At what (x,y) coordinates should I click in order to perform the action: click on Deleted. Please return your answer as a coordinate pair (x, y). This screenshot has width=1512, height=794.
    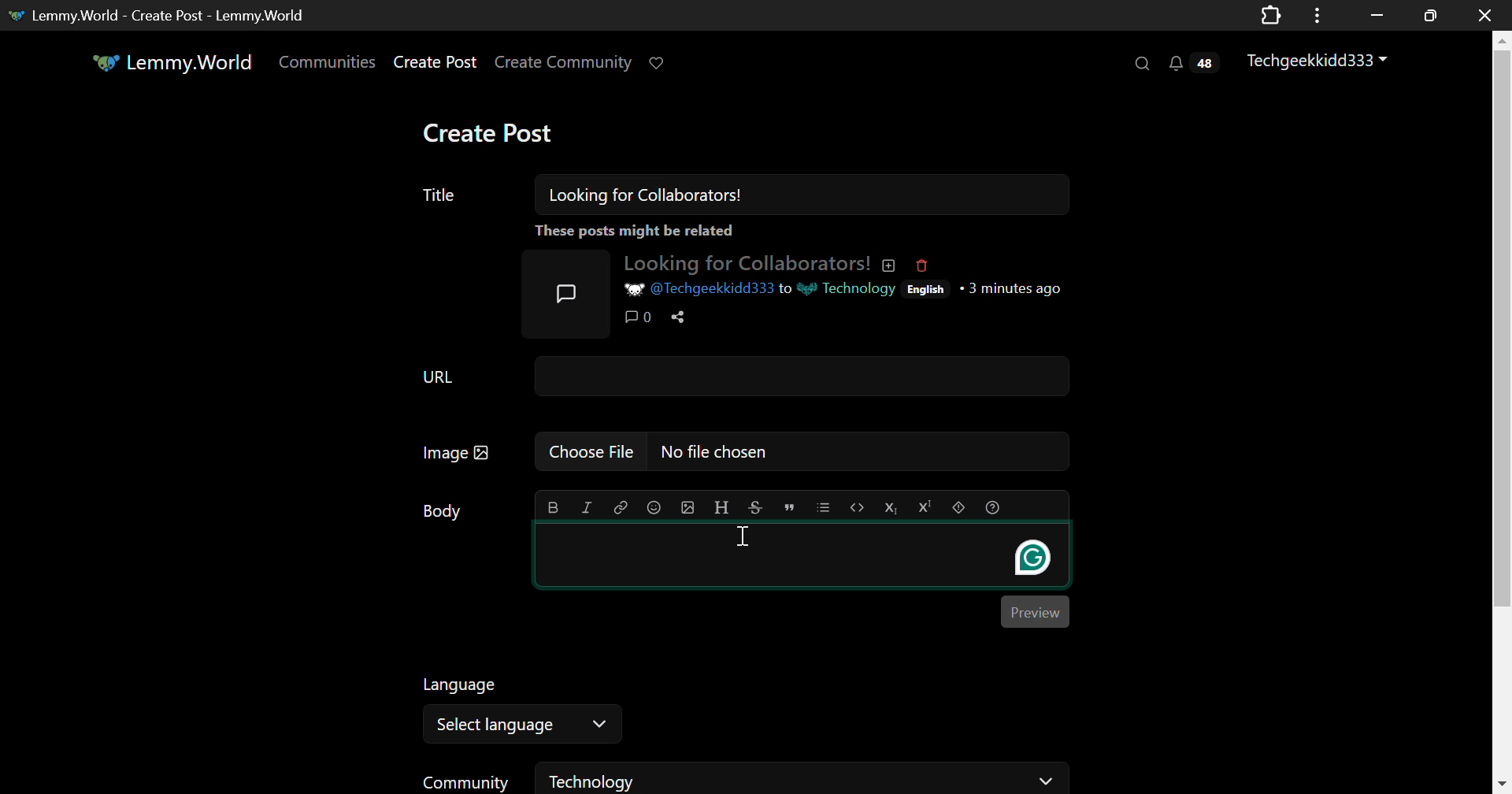
    Looking at the image, I should click on (921, 265).